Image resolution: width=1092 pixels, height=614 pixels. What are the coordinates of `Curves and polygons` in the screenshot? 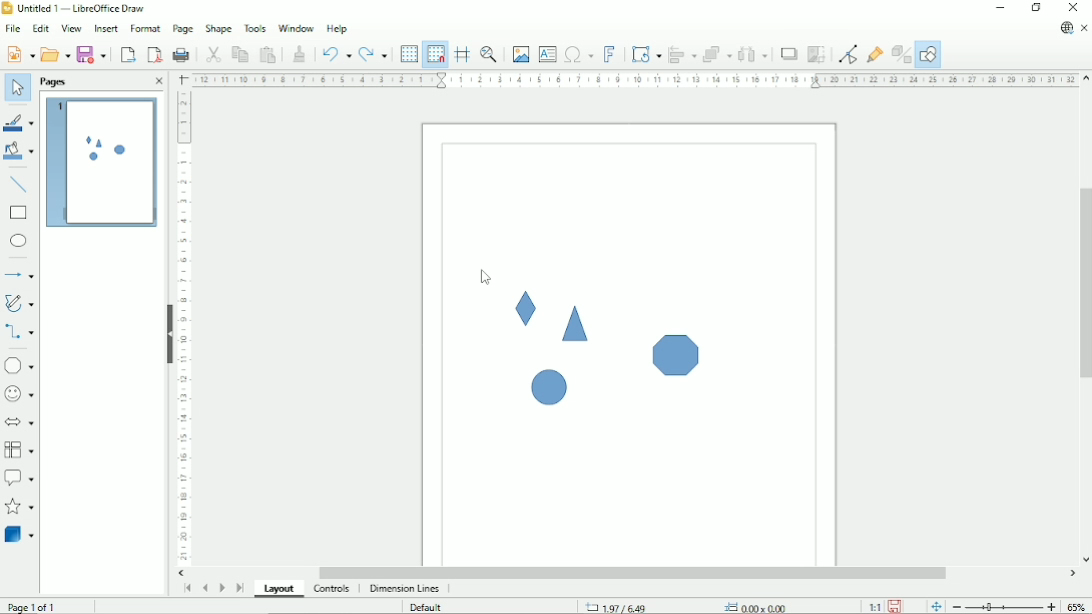 It's located at (20, 303).